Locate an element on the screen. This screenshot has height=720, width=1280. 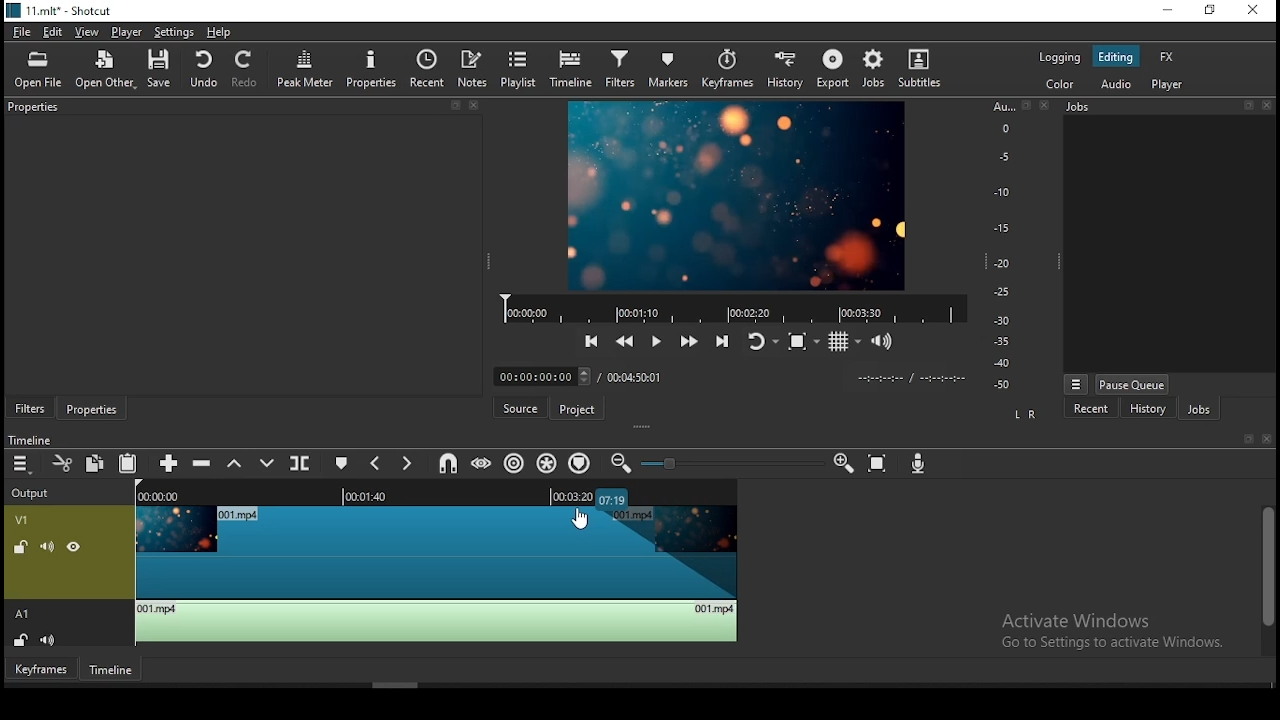
toggle grid display on the player is located at coordinates (845, 343).